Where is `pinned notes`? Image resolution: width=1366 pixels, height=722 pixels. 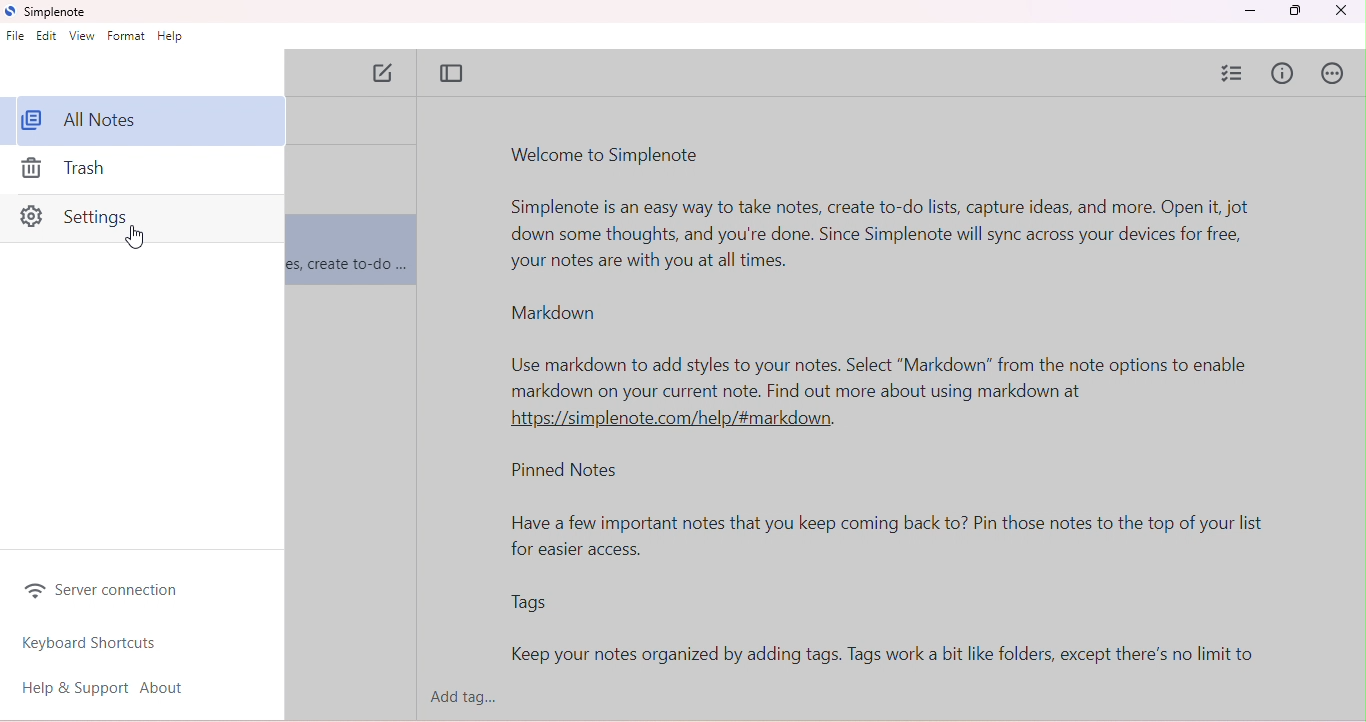
pinned notes is located at coordinates (570, 473).